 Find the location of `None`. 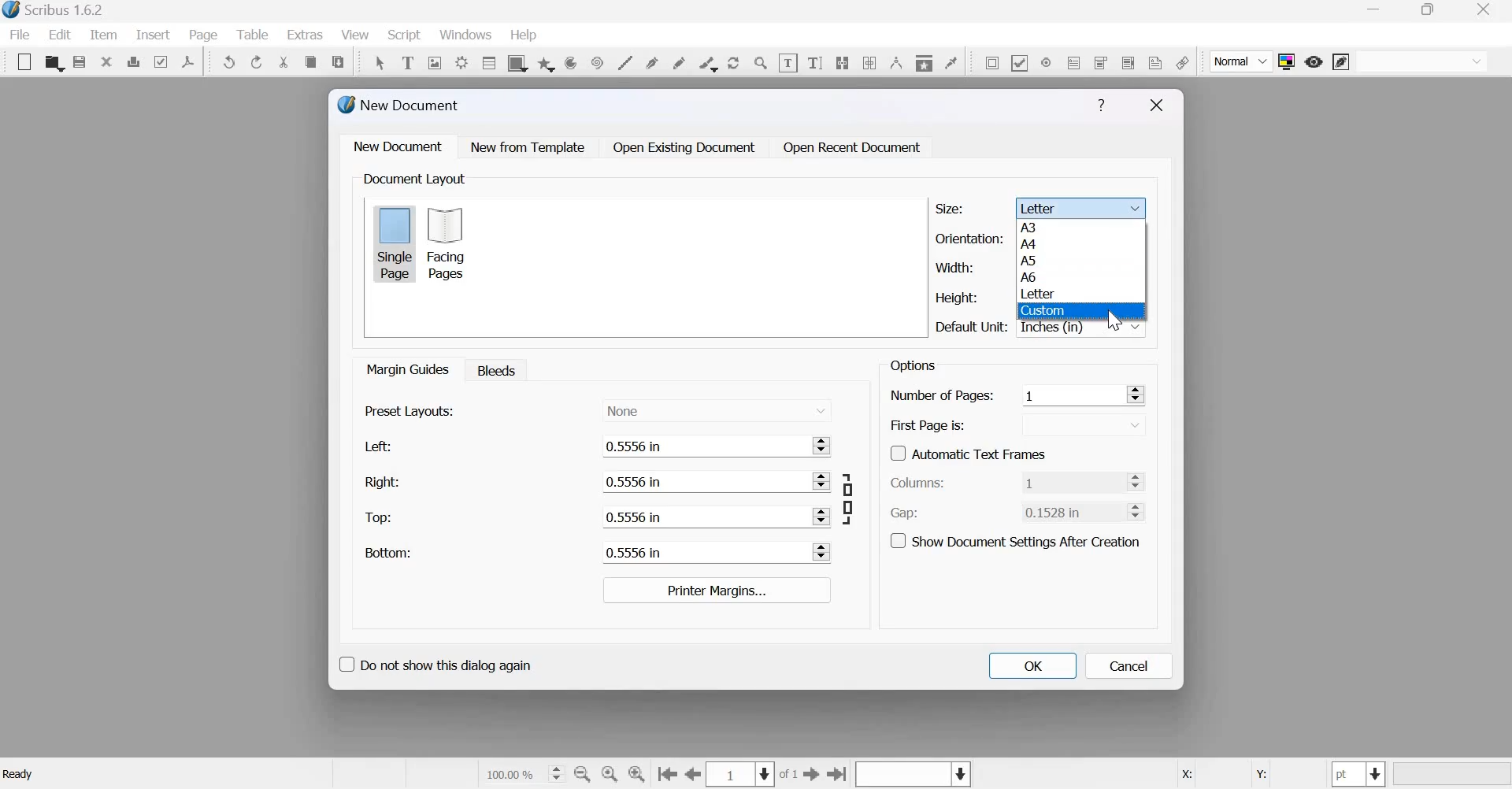

None is located at coordinates (717, 409).